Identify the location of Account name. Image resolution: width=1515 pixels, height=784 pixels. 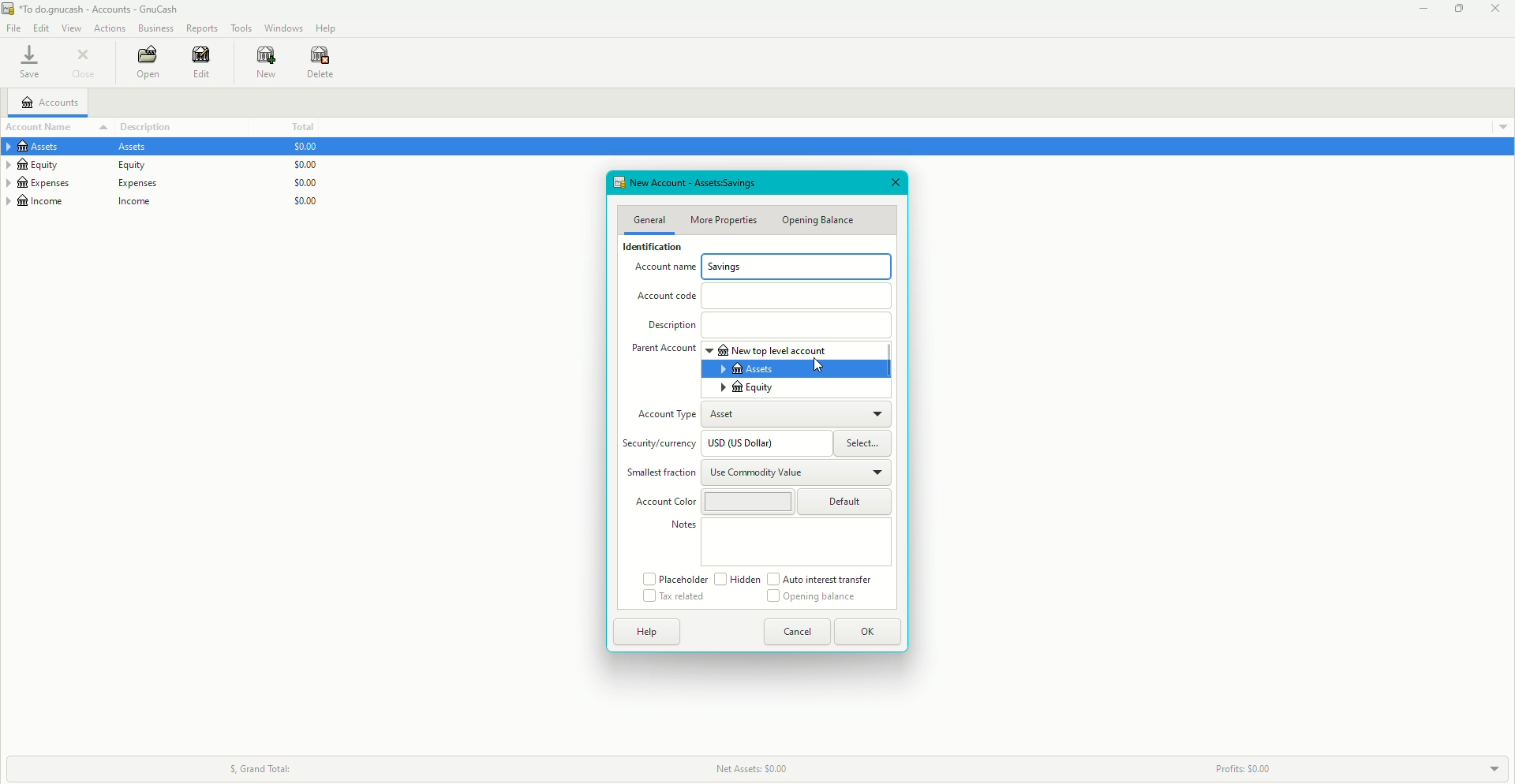
(42, 127).